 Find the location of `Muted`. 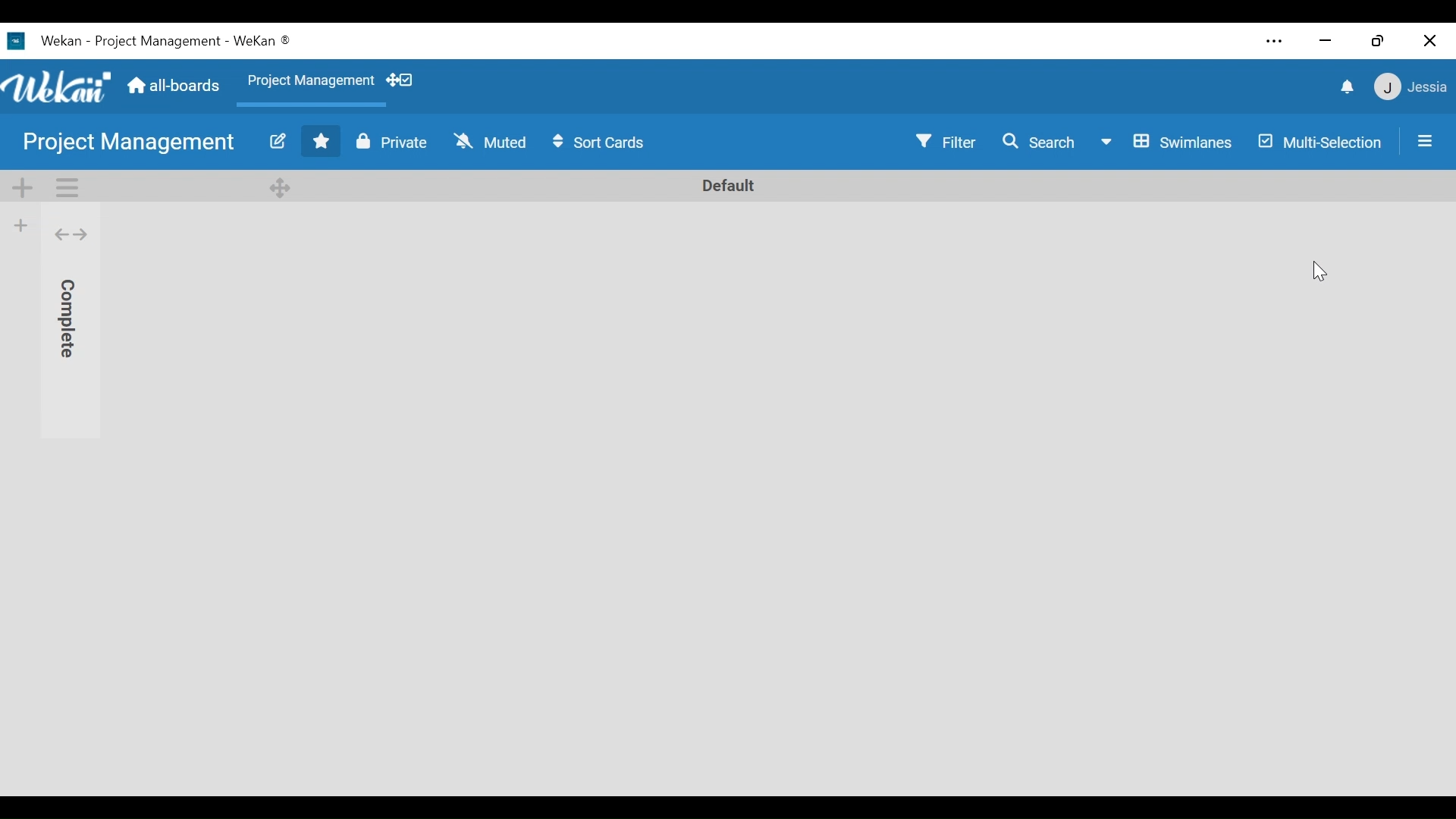

Muted is located at coordinates (493, 142).